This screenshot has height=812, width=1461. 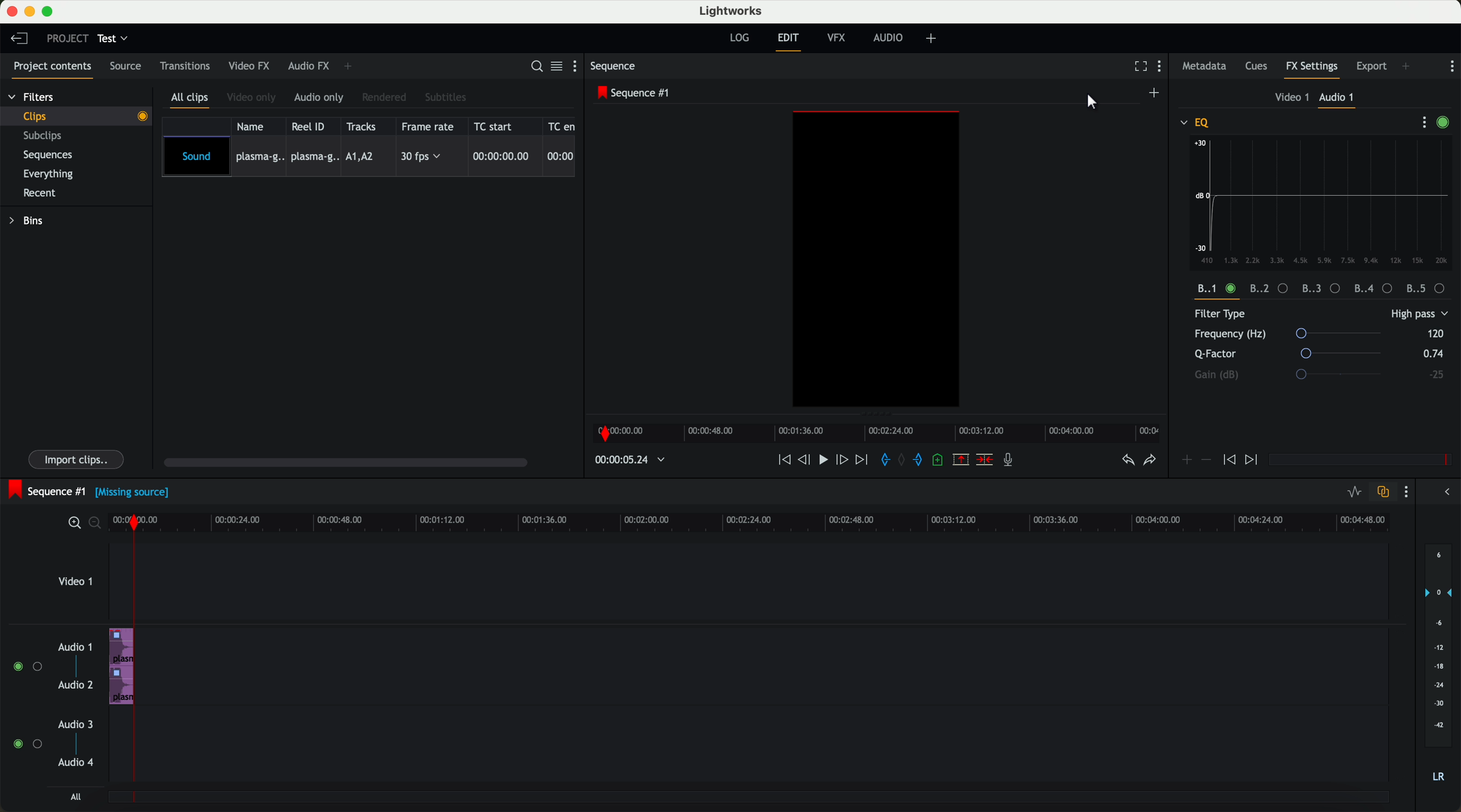 I want to click on redo, so click(x=1148, y=462).